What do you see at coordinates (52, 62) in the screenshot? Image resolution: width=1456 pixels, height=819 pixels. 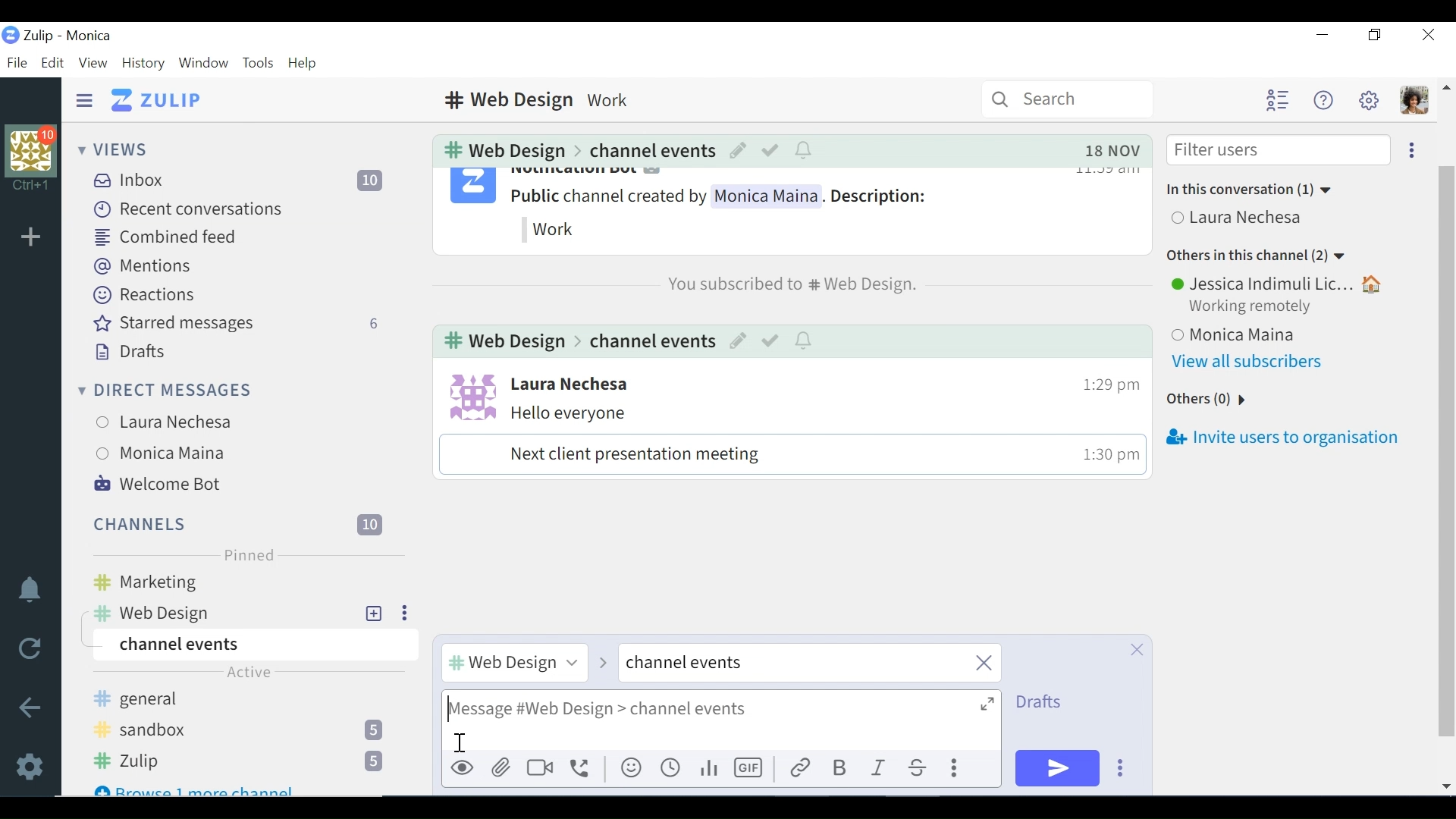 I see `Edit` at bounding box center [52, 62].